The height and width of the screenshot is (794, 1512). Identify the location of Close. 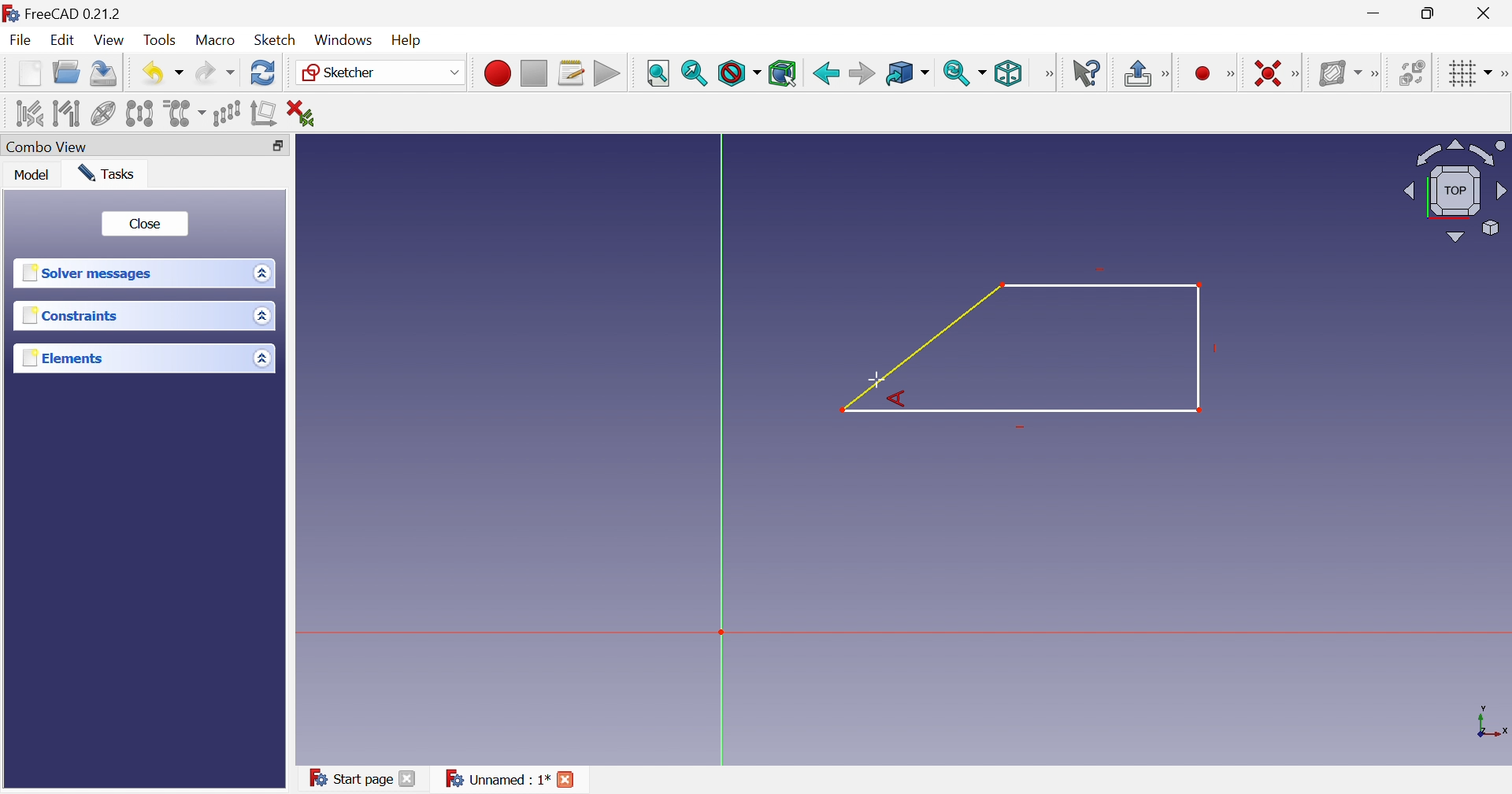
(1487, 13).